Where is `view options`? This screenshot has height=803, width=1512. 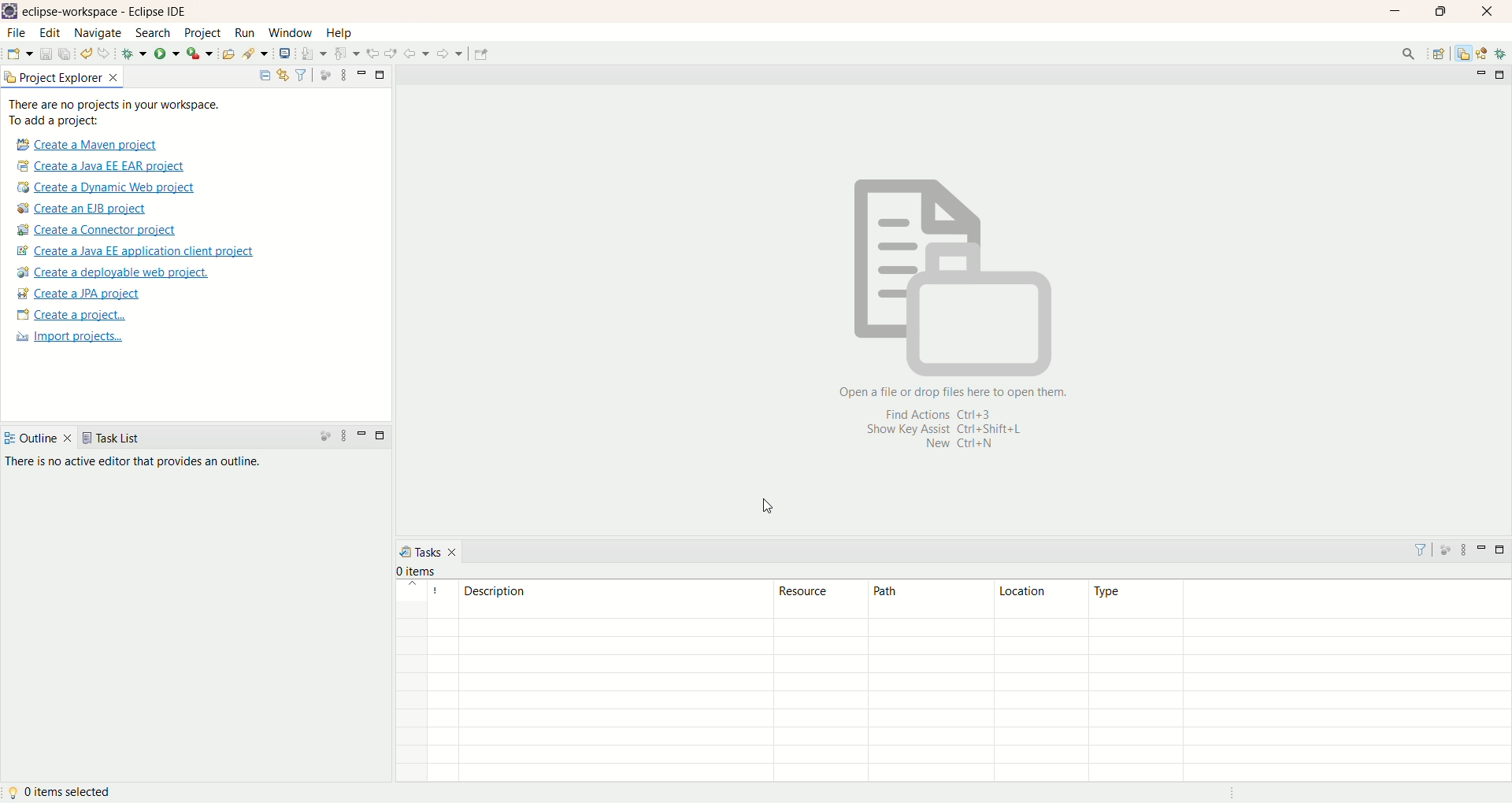 view options is located at coordinates (349, 76).